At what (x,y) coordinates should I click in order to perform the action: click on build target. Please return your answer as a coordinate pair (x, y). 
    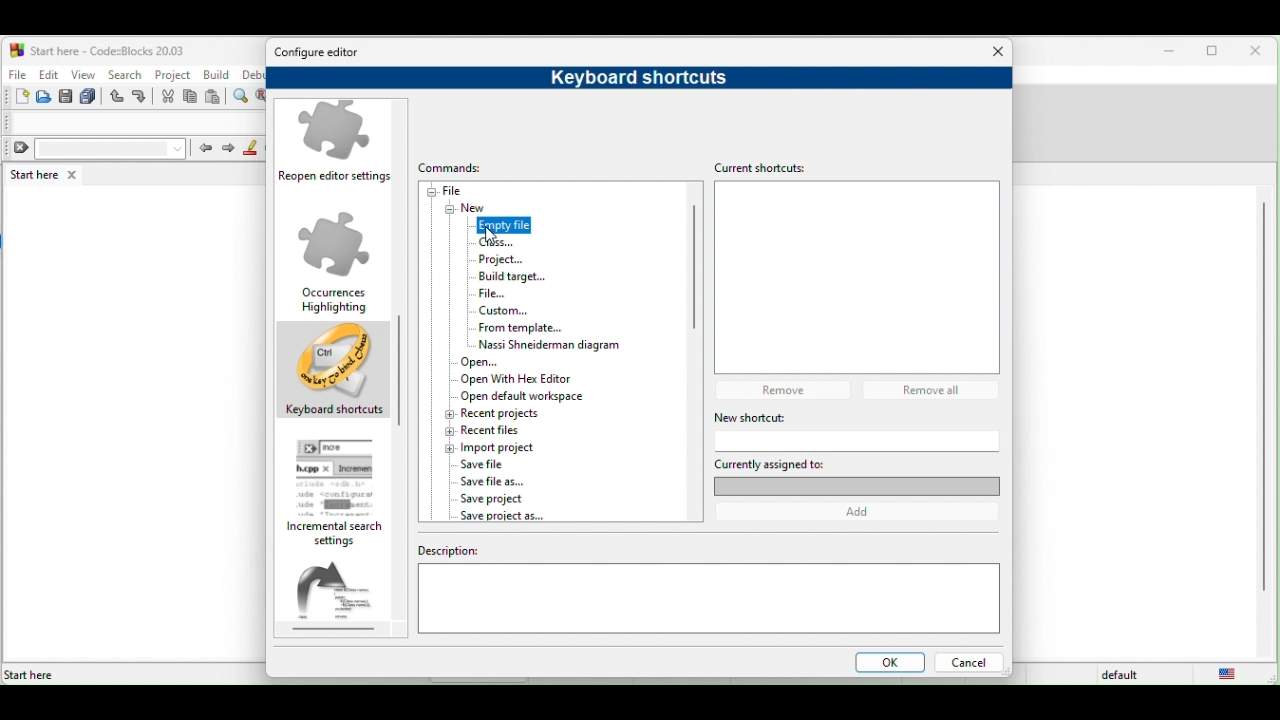
    Looking at the image, I should click on (513, 277).